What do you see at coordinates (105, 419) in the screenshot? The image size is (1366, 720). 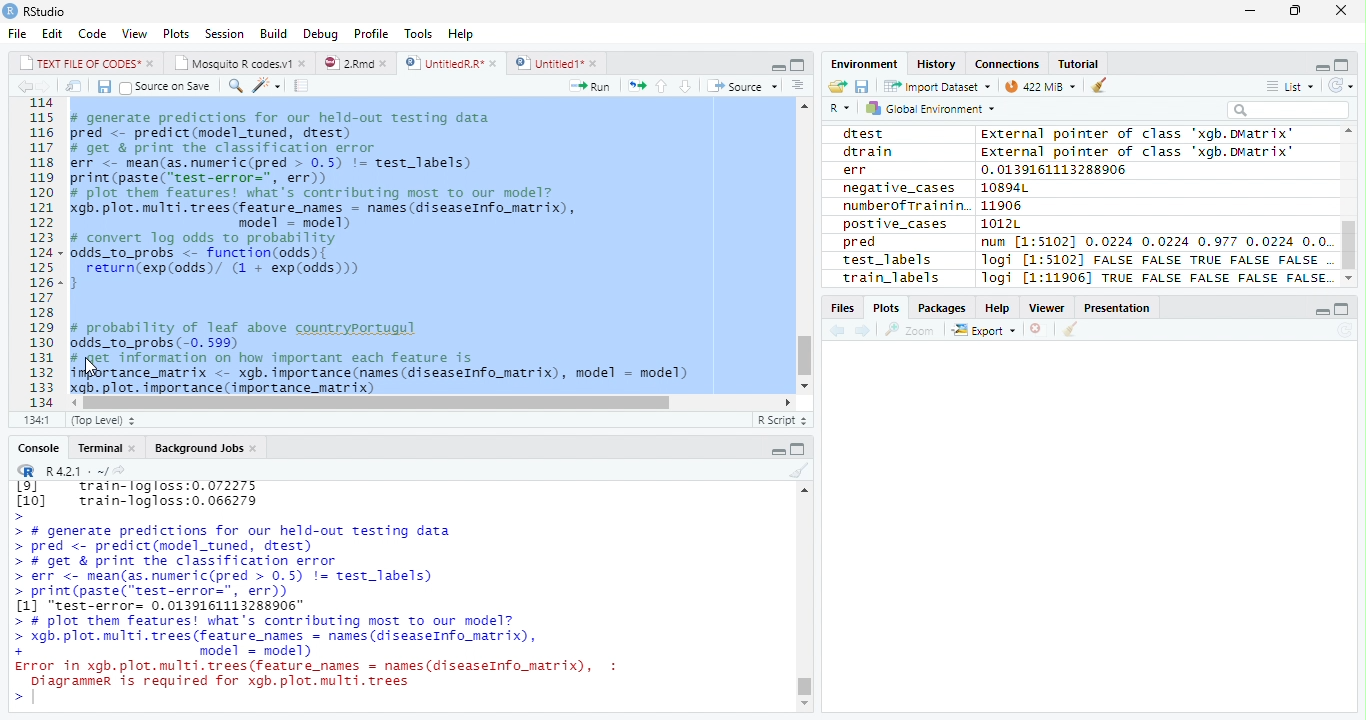 I see `Top Level` at bounding box center [105, 419].